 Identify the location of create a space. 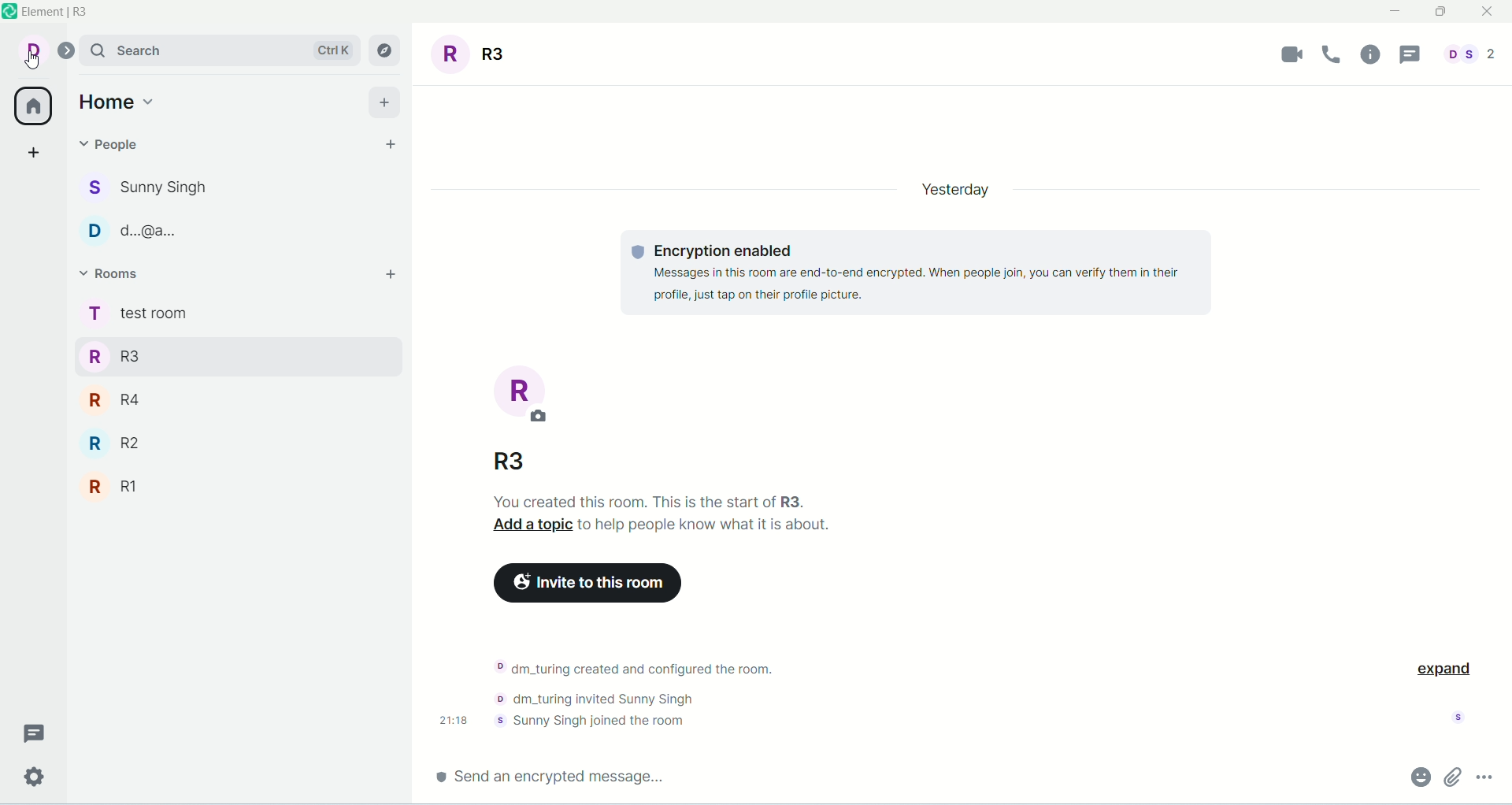
(34, 152).